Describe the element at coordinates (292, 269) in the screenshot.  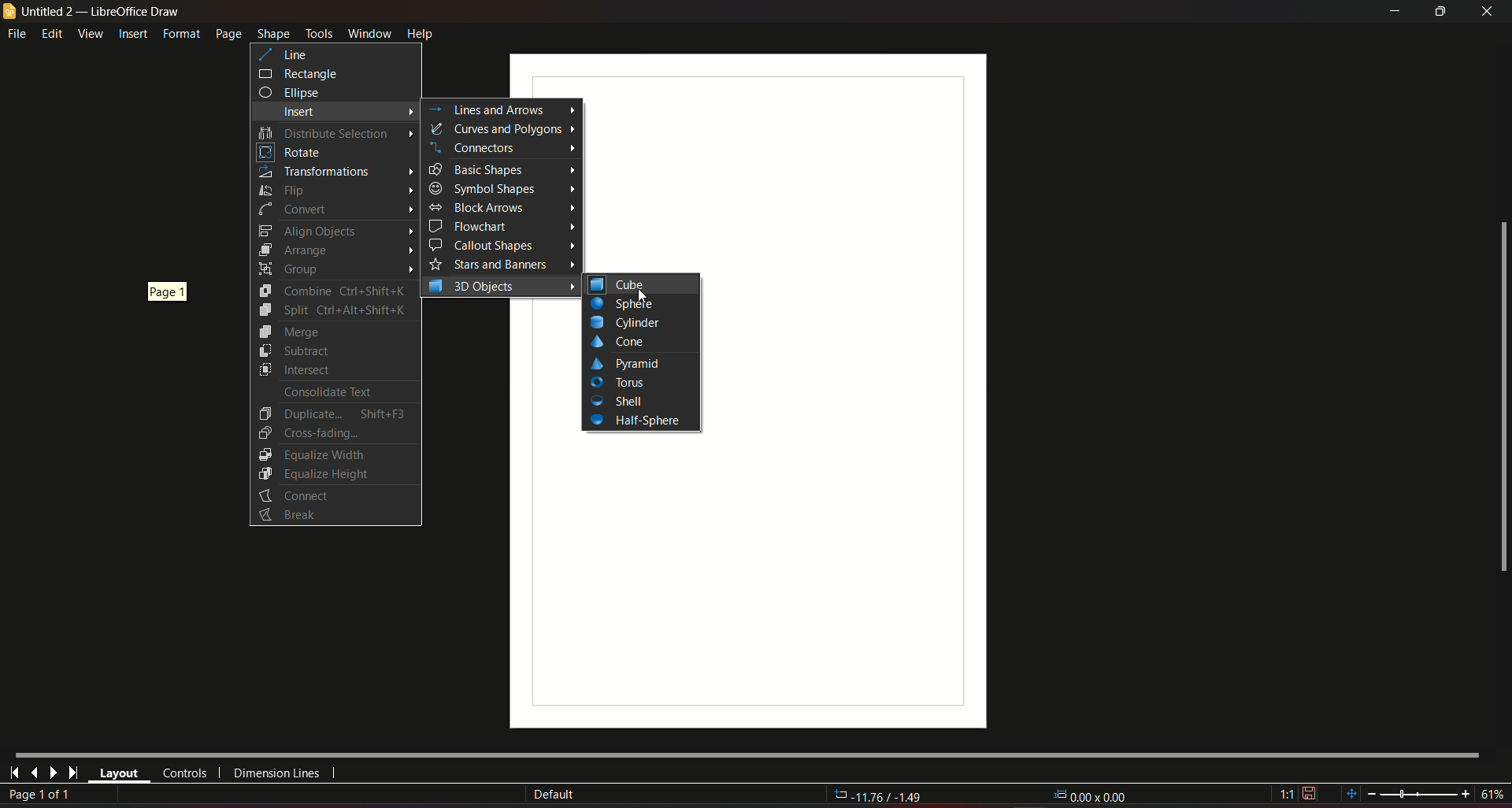
I see `Group` at that location.